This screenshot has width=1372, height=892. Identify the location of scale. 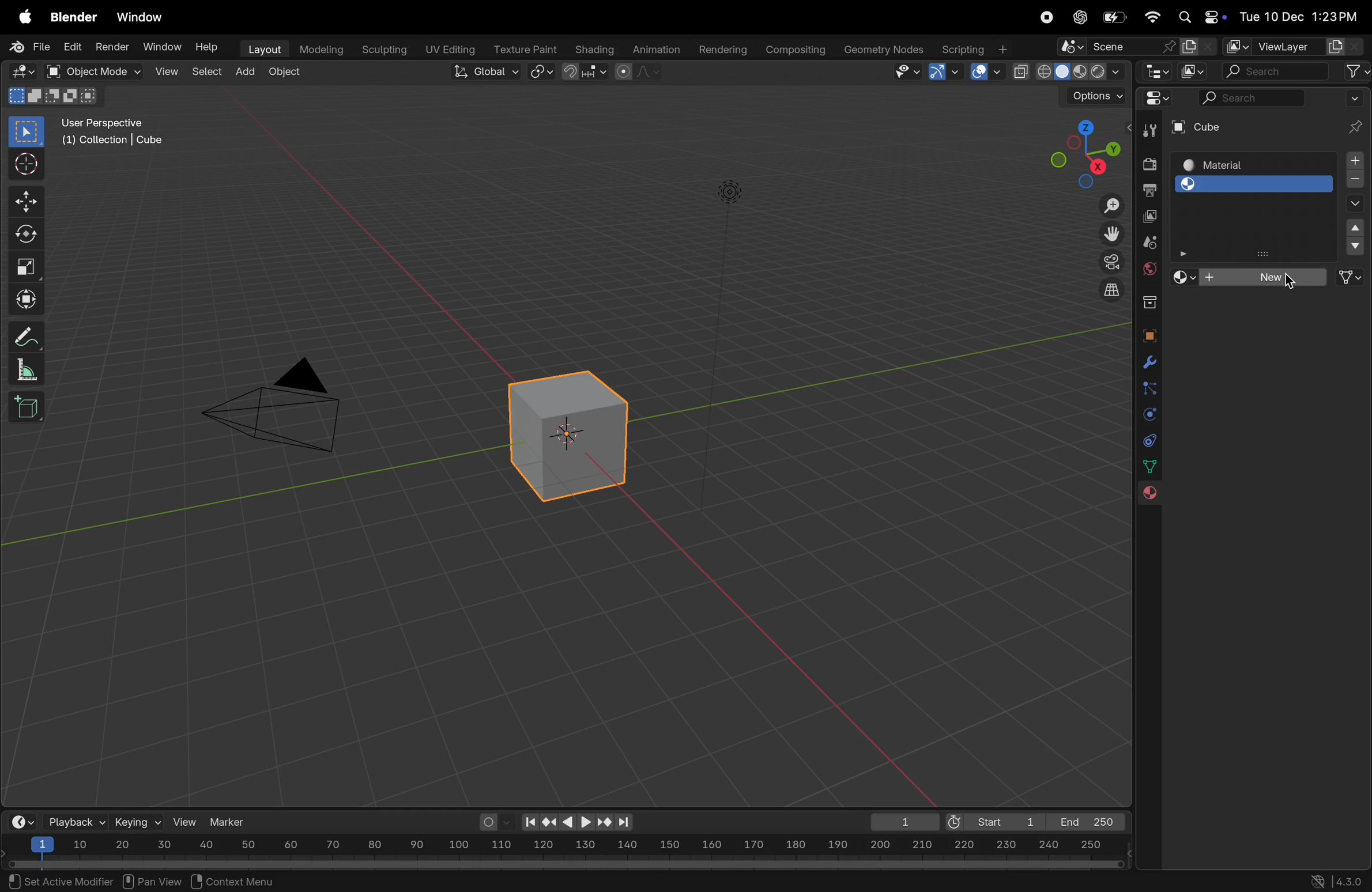
(22, 369).